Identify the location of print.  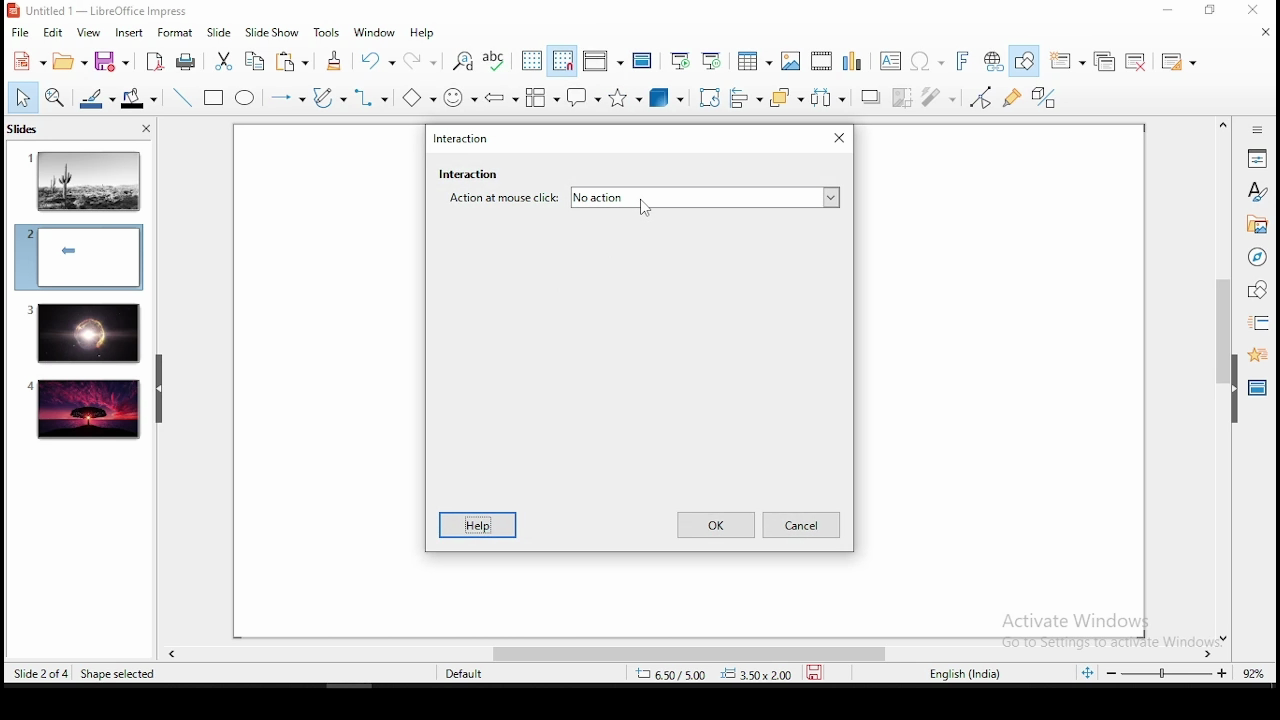
(187, 61).